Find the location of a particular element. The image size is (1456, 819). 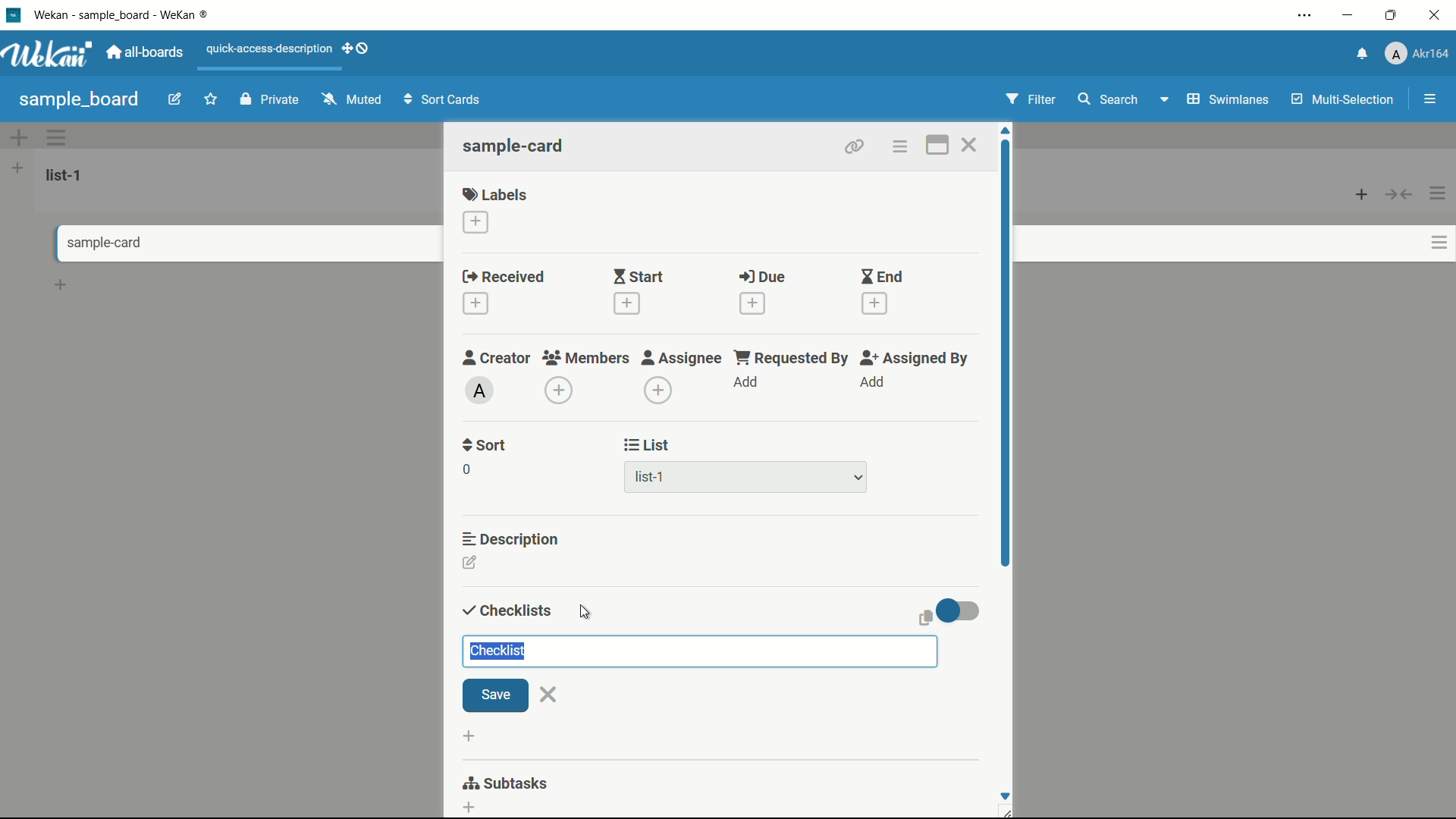

add date is located at coordinates (625, 303).